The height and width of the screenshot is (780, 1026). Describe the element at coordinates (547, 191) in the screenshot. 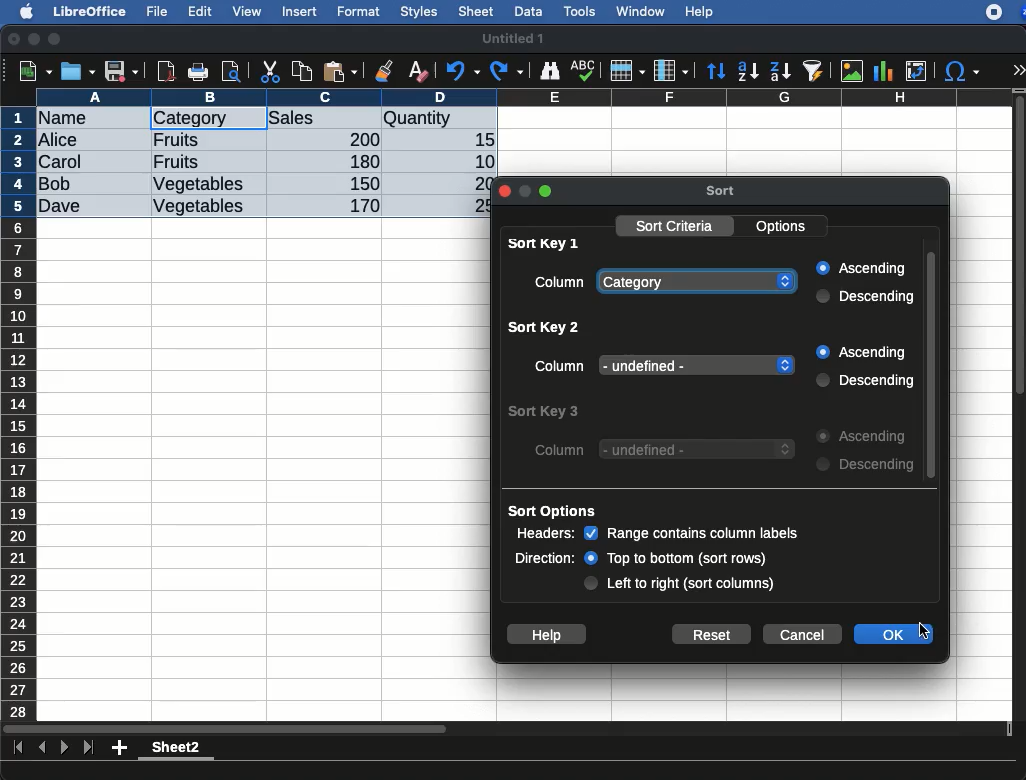

I see `Maximize` at that location.